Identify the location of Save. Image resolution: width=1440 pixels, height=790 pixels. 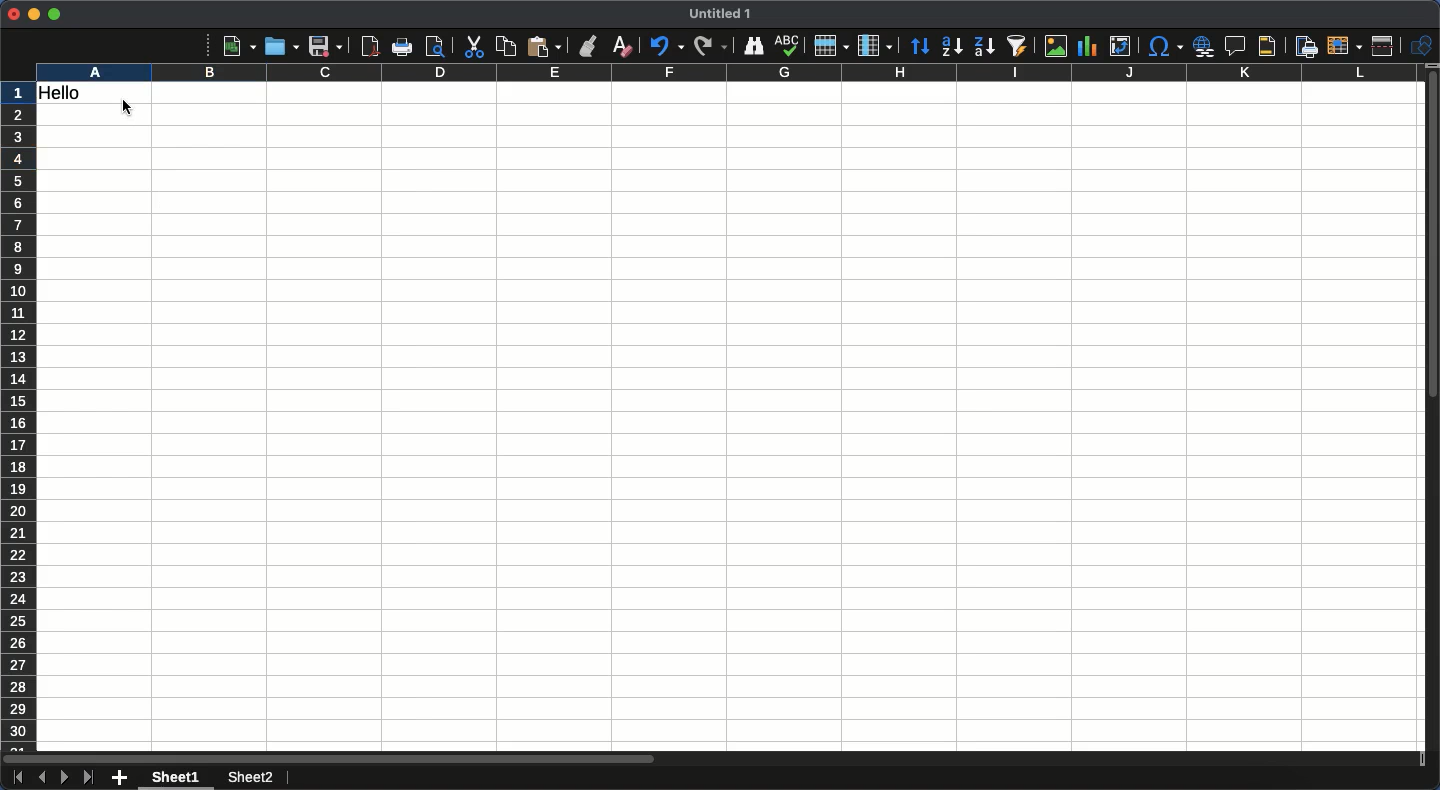
(325, 46).